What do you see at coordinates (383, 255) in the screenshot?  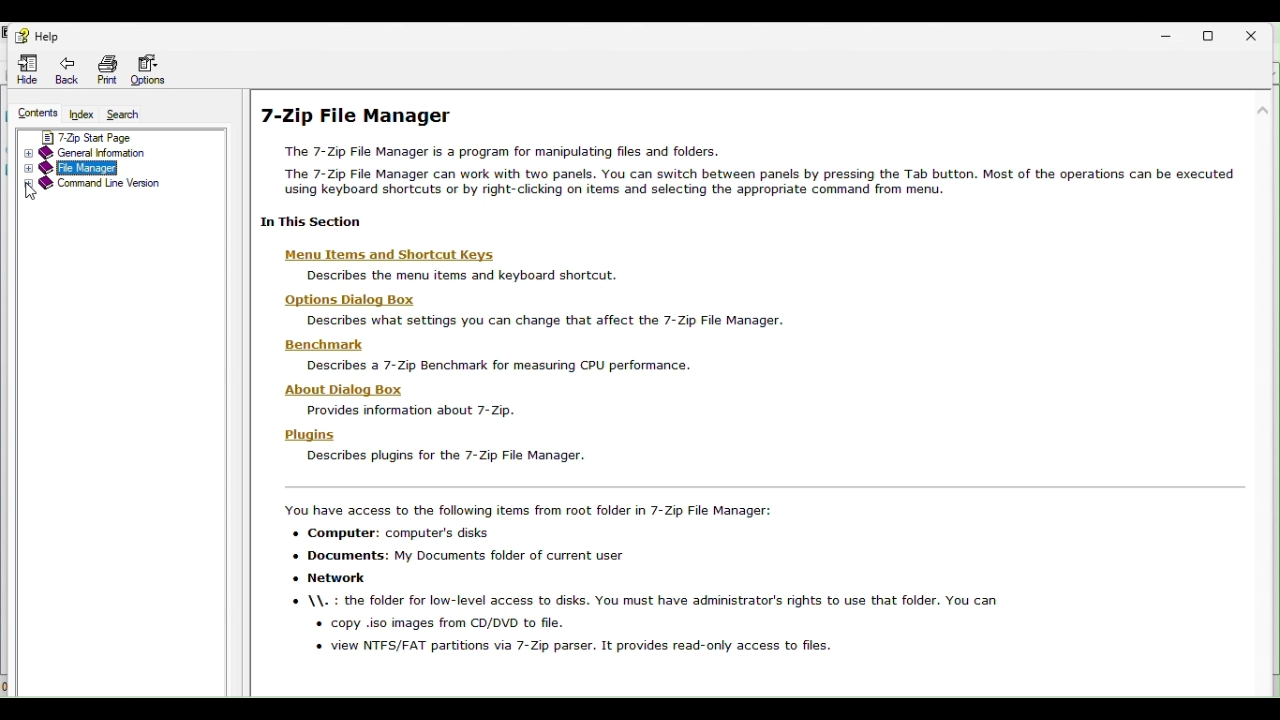 I see `‘Menu Items and Shortcut Keys` at bounding box center [383, 255].